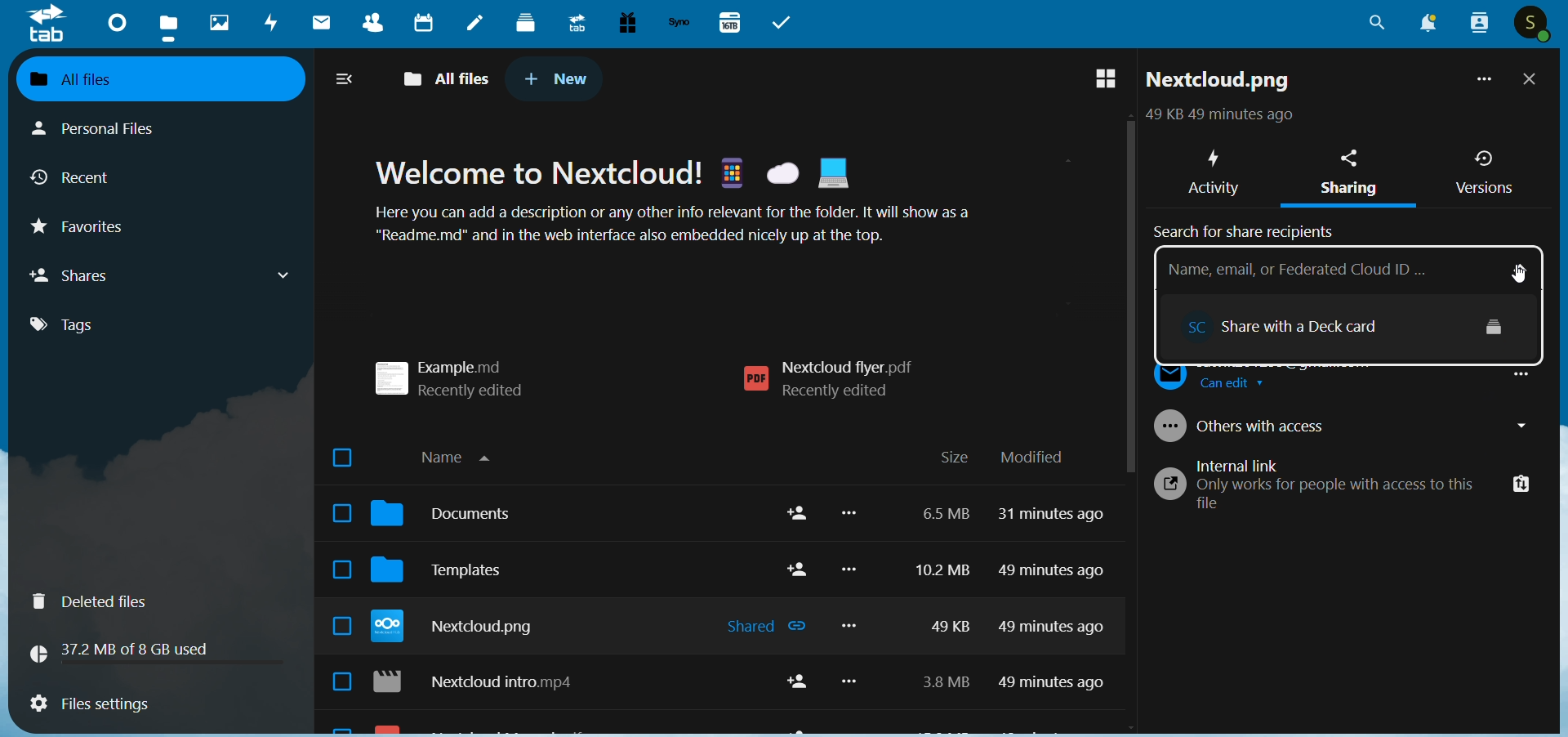  I want to click on deleted files, so click(100, 601).